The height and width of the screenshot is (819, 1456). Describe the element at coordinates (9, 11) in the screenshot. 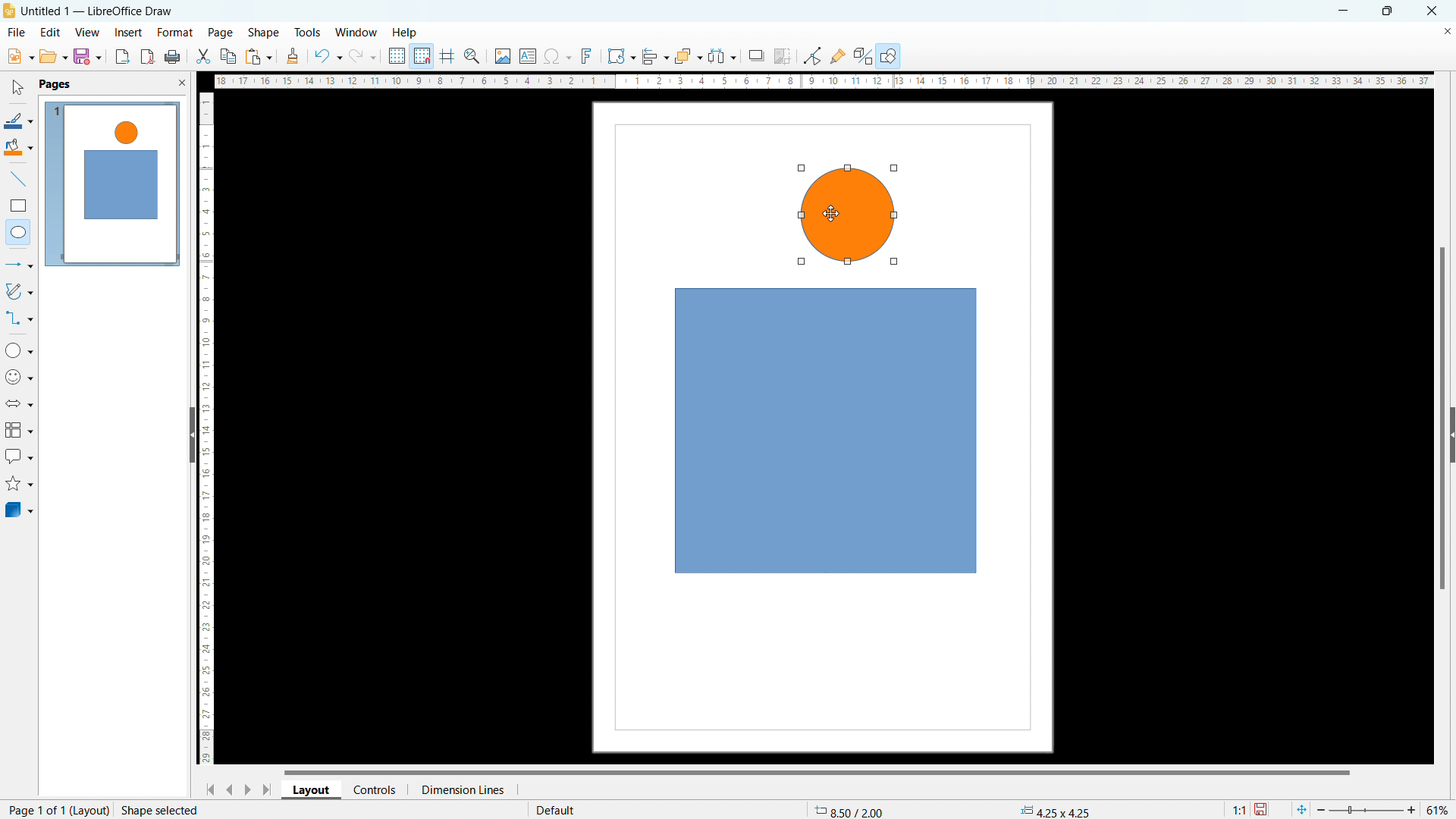

I see `logo` at that location.